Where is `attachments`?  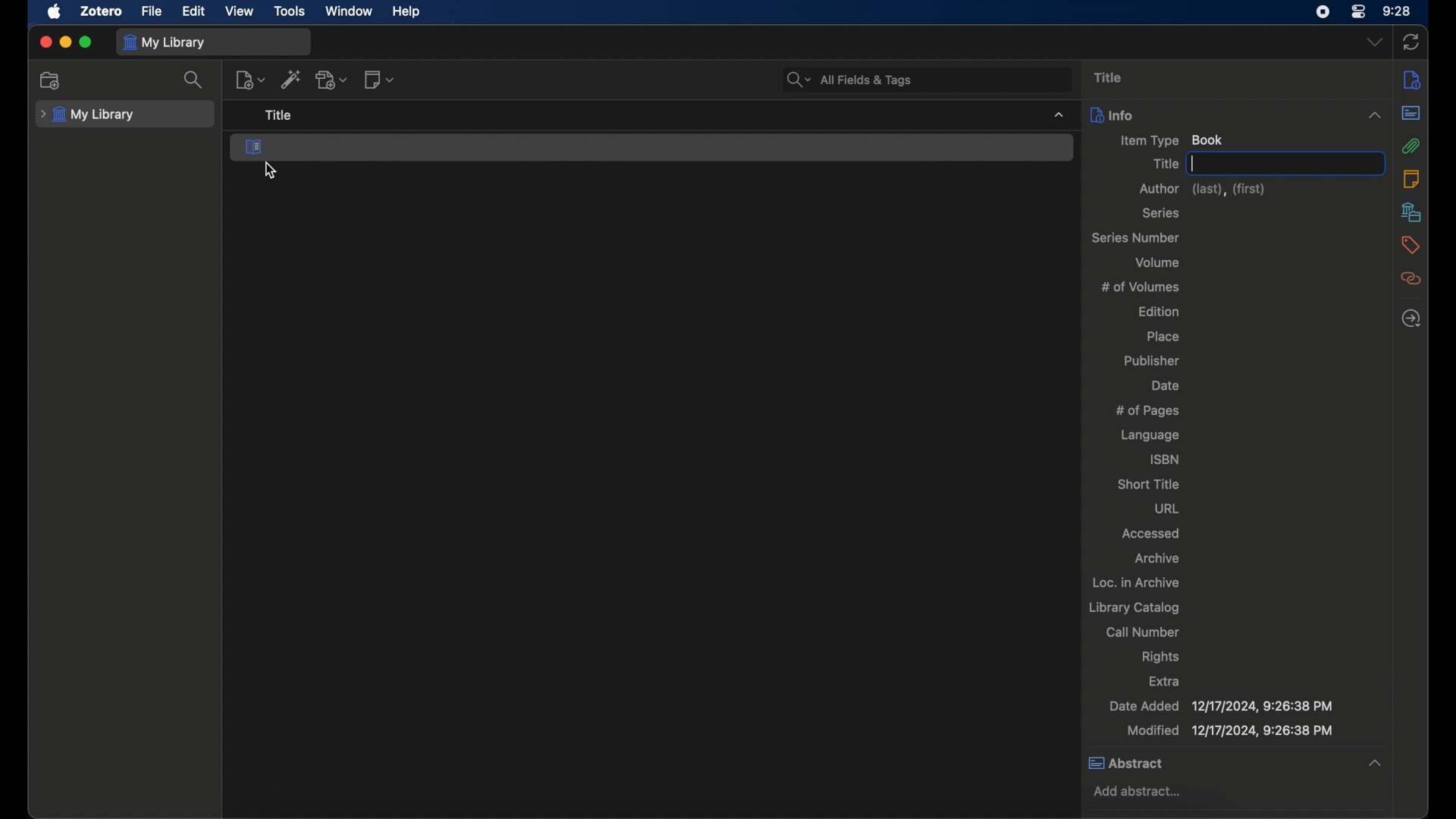 attachments is located at coordinates (1411, 146).